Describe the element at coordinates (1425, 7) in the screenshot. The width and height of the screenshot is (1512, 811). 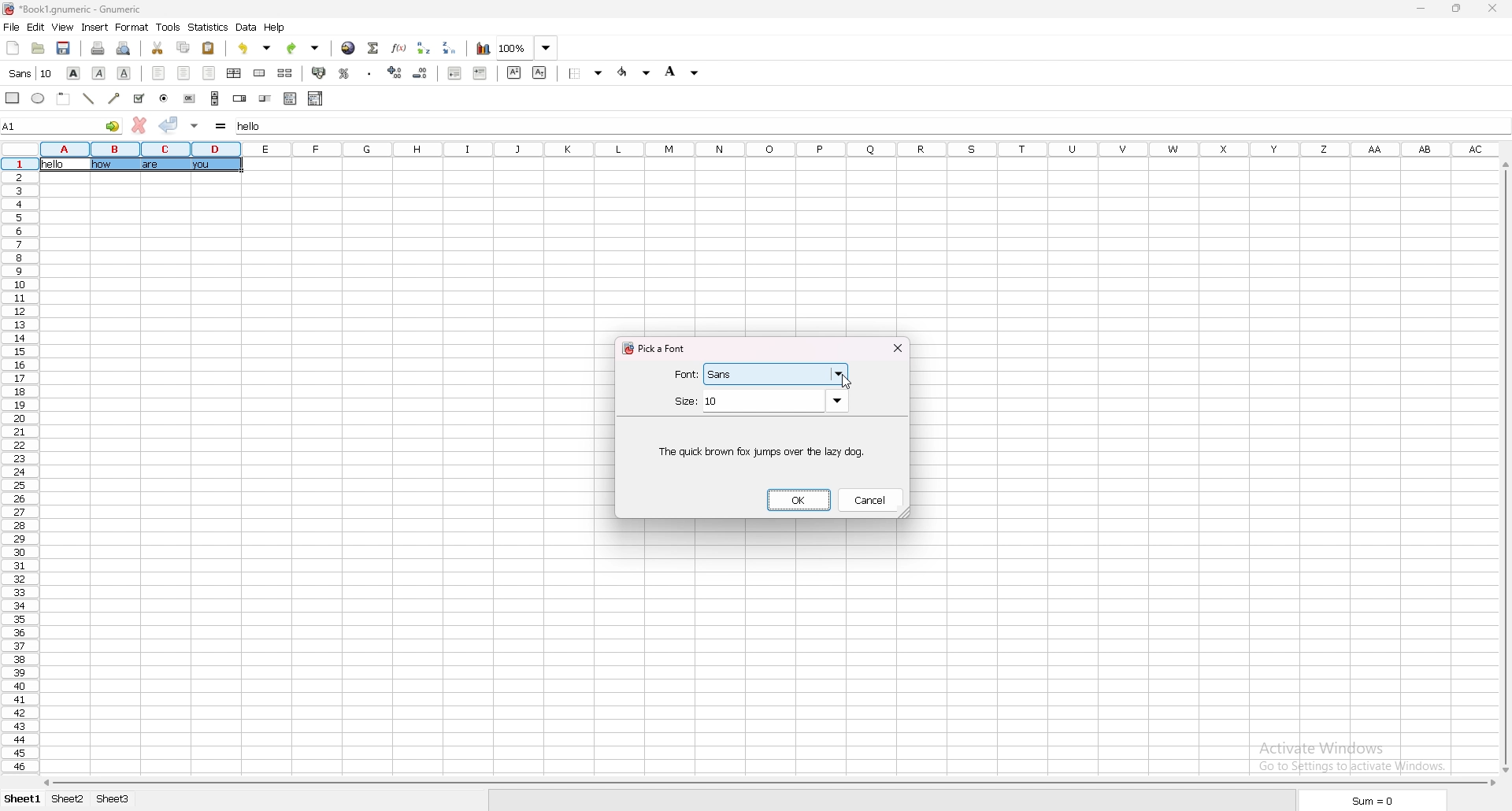
I see `minimize` at that location.